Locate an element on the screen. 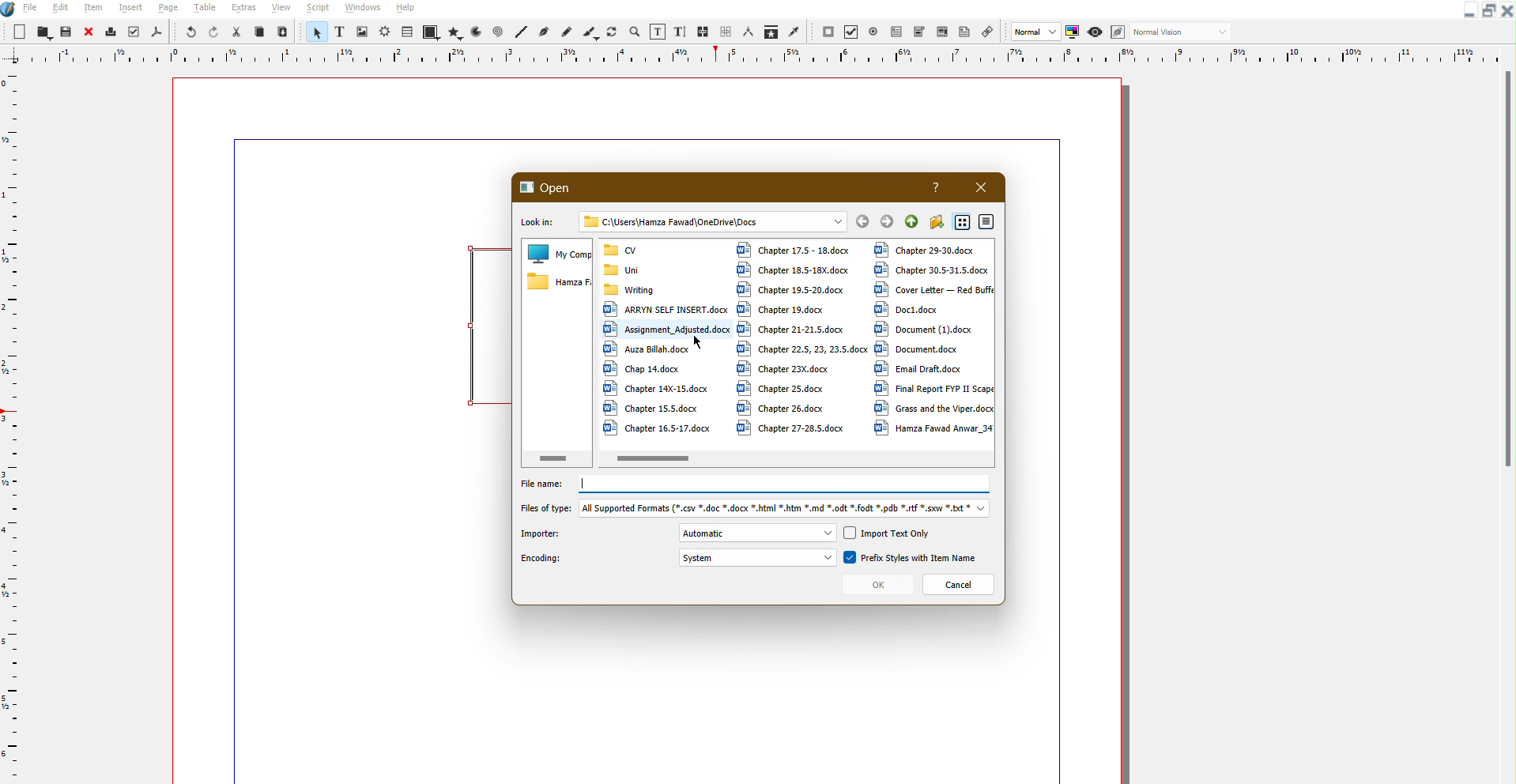 The width and height of the screenshot is (1516, 784). Table is located at coordinates (206, 9).